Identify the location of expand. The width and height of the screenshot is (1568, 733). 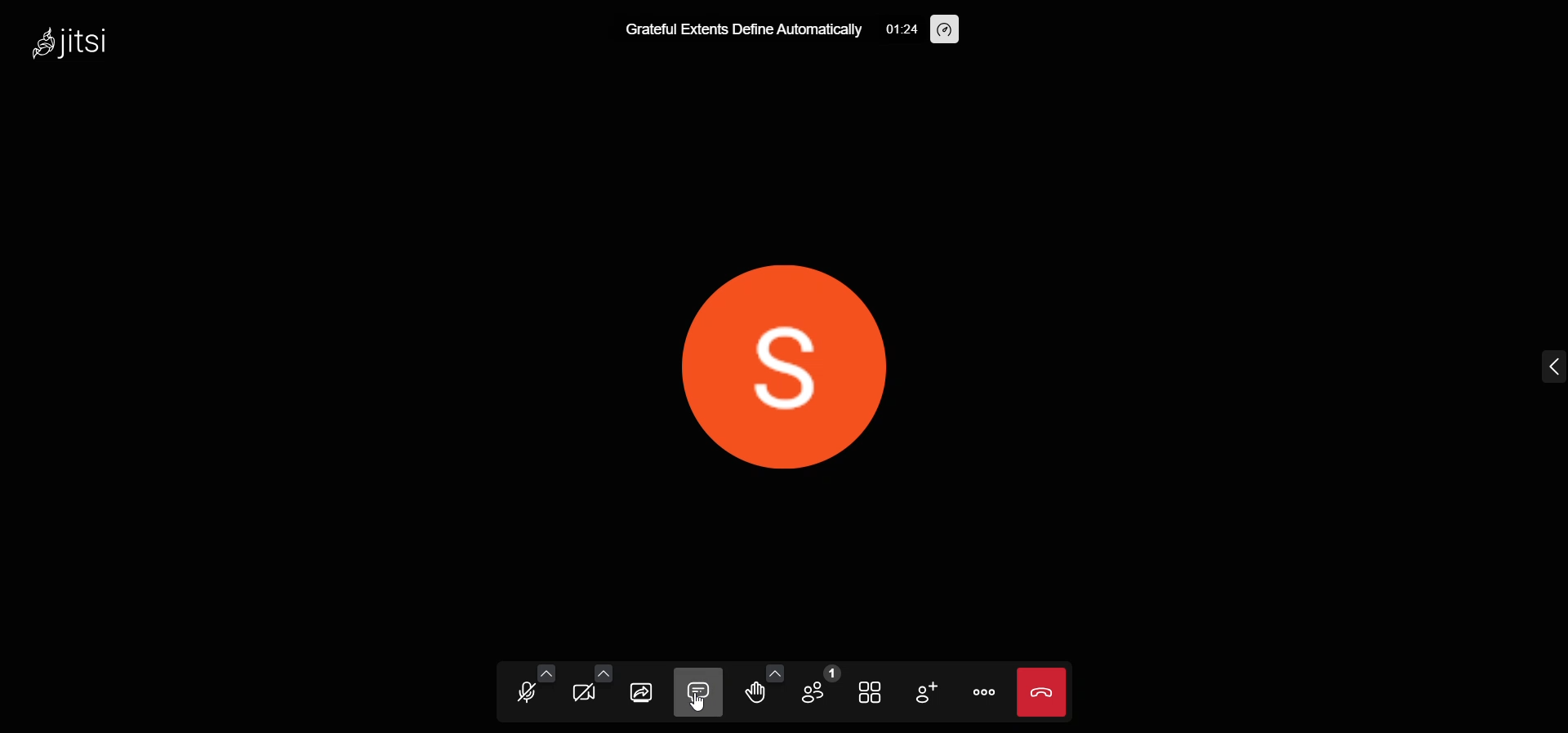
(1549, 367).